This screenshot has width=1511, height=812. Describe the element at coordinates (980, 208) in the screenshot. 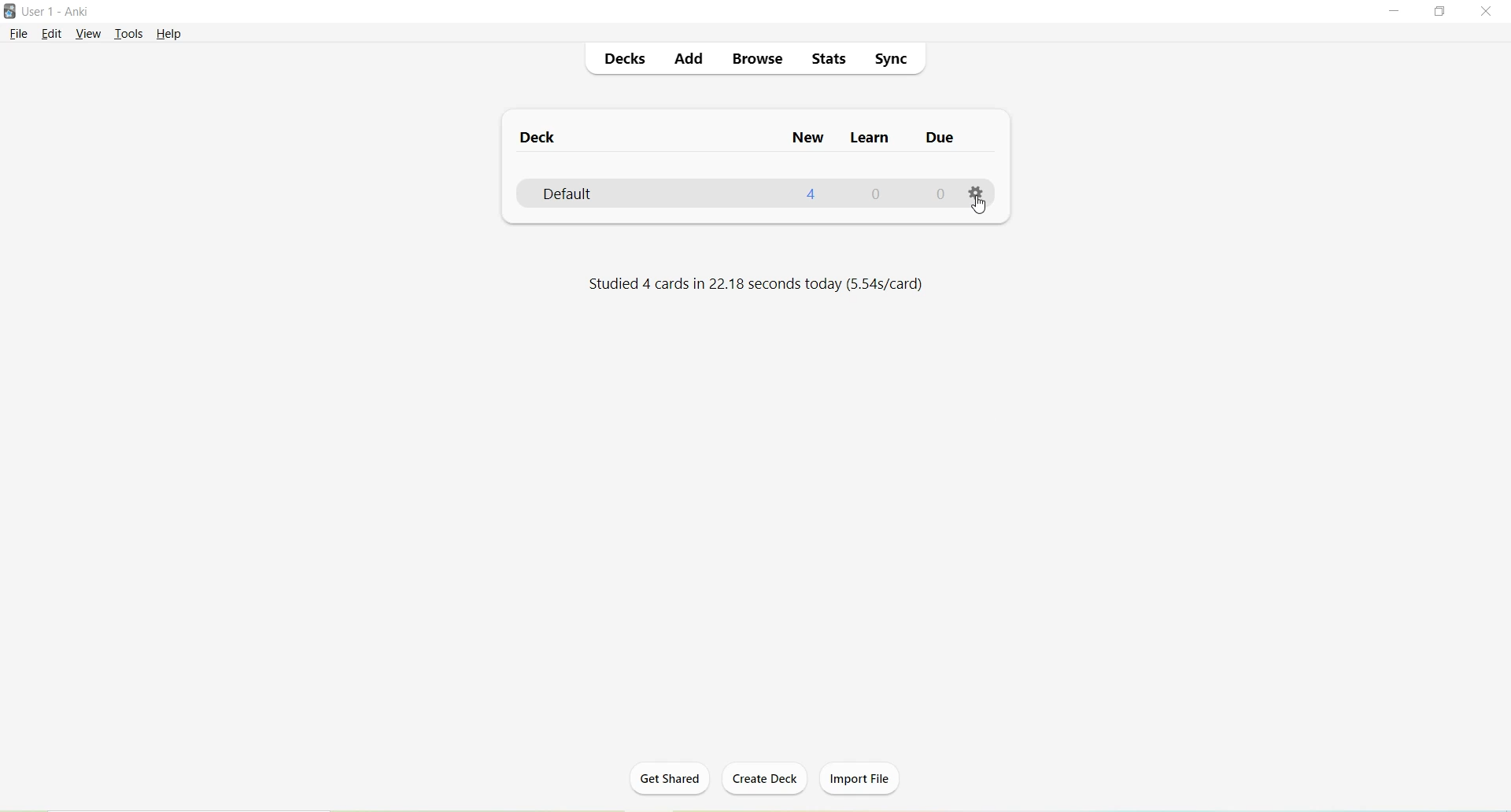

I see `Cursor` at that location.